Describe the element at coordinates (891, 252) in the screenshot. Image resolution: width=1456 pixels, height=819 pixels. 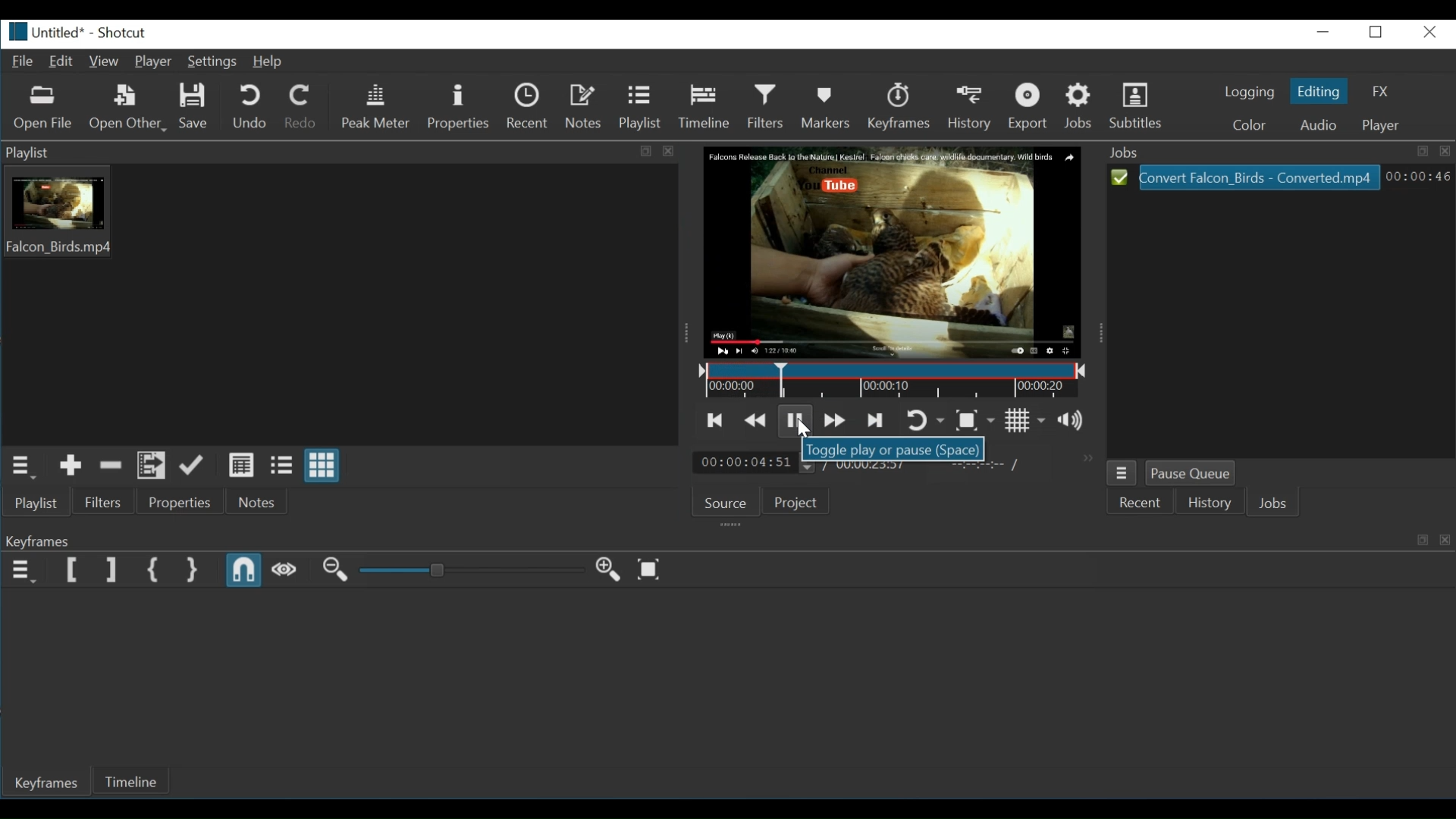
I see `Media Viewer` at that location.